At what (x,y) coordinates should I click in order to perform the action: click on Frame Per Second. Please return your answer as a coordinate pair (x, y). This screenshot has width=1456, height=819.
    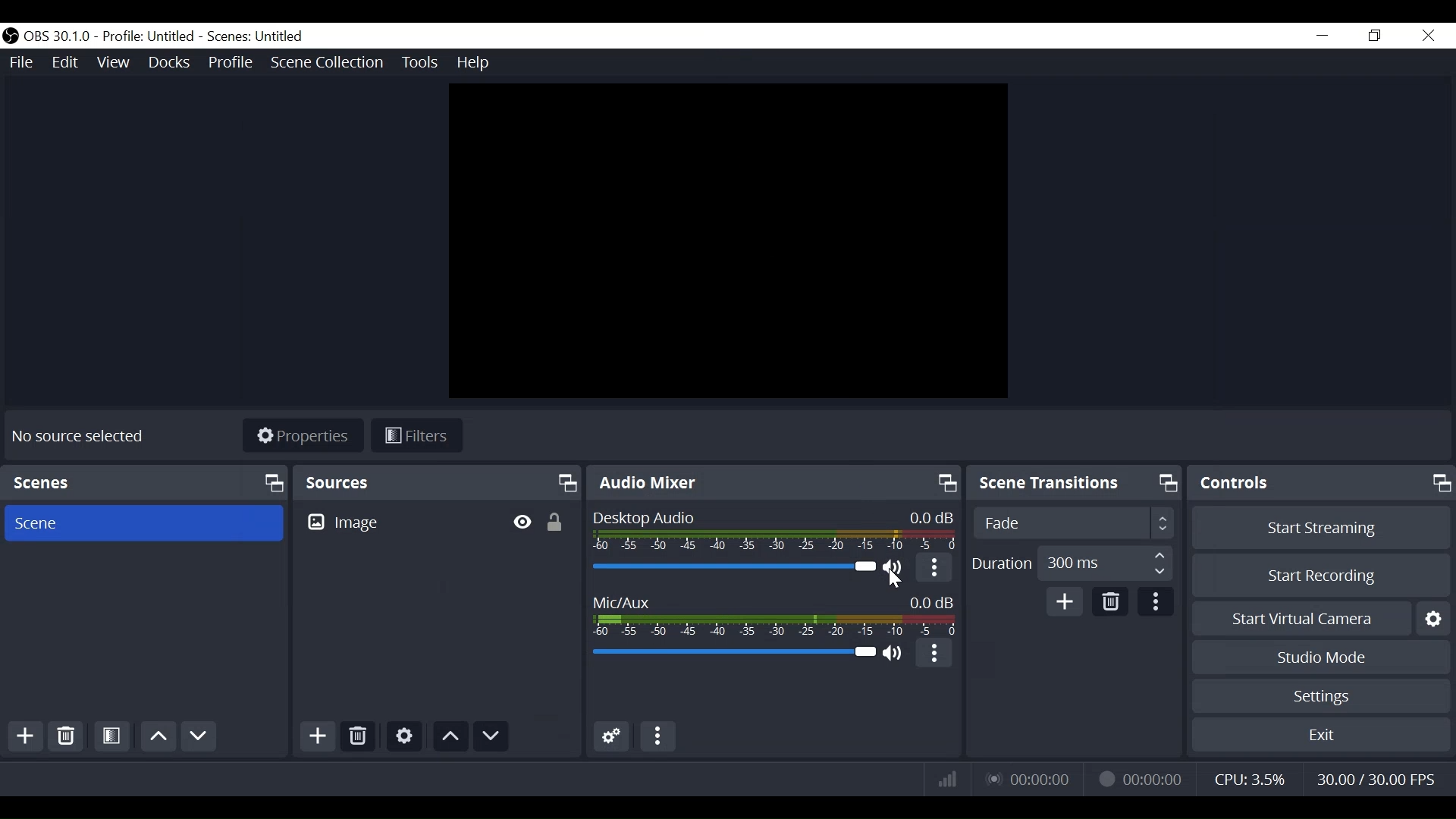
    Looking at the image, I should click on (1378, 780).